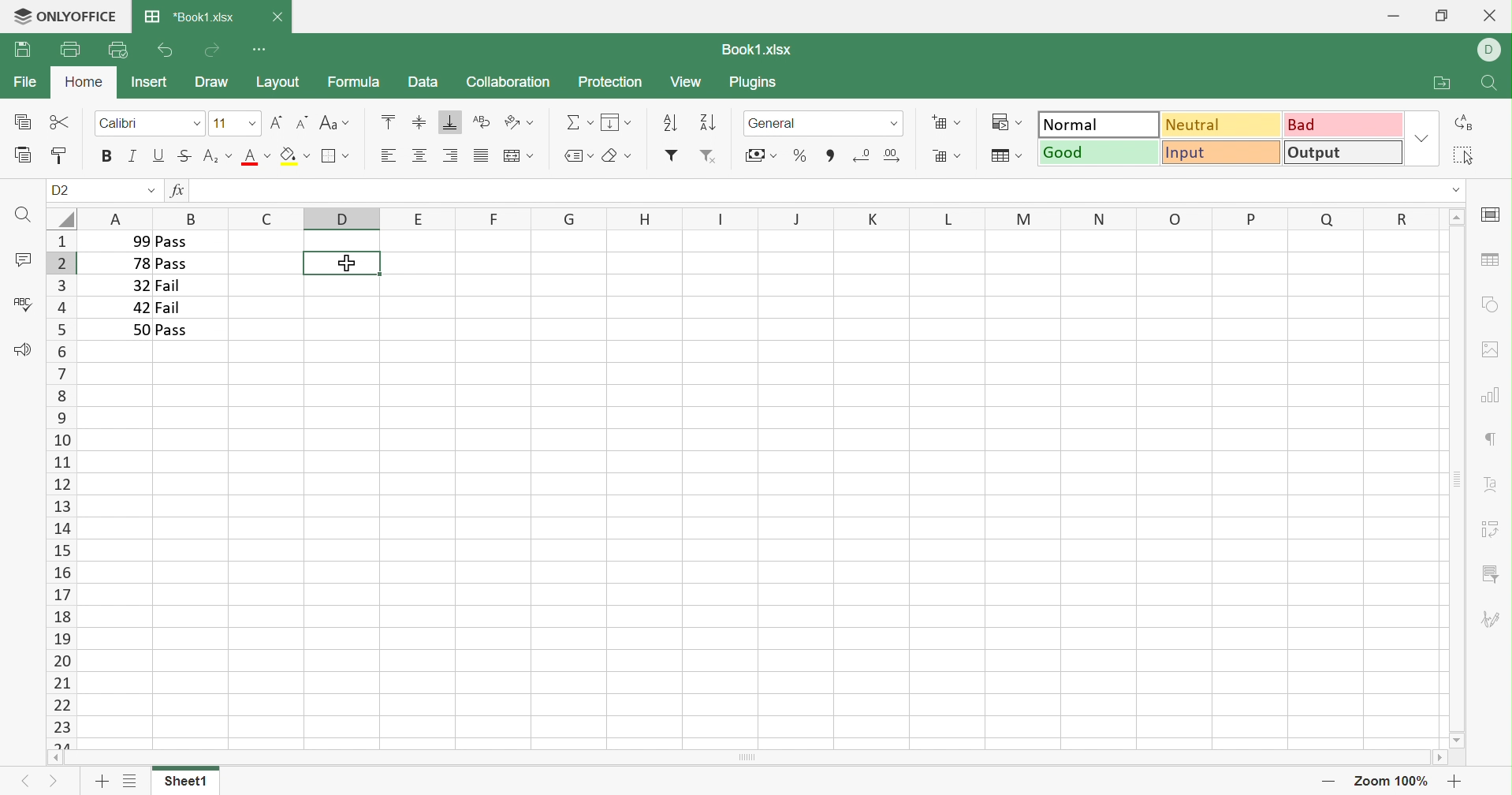  What do you see at coordinates (945, 155) in the screenshot?
I see `Delete cells` at bounding box center [945, 155].